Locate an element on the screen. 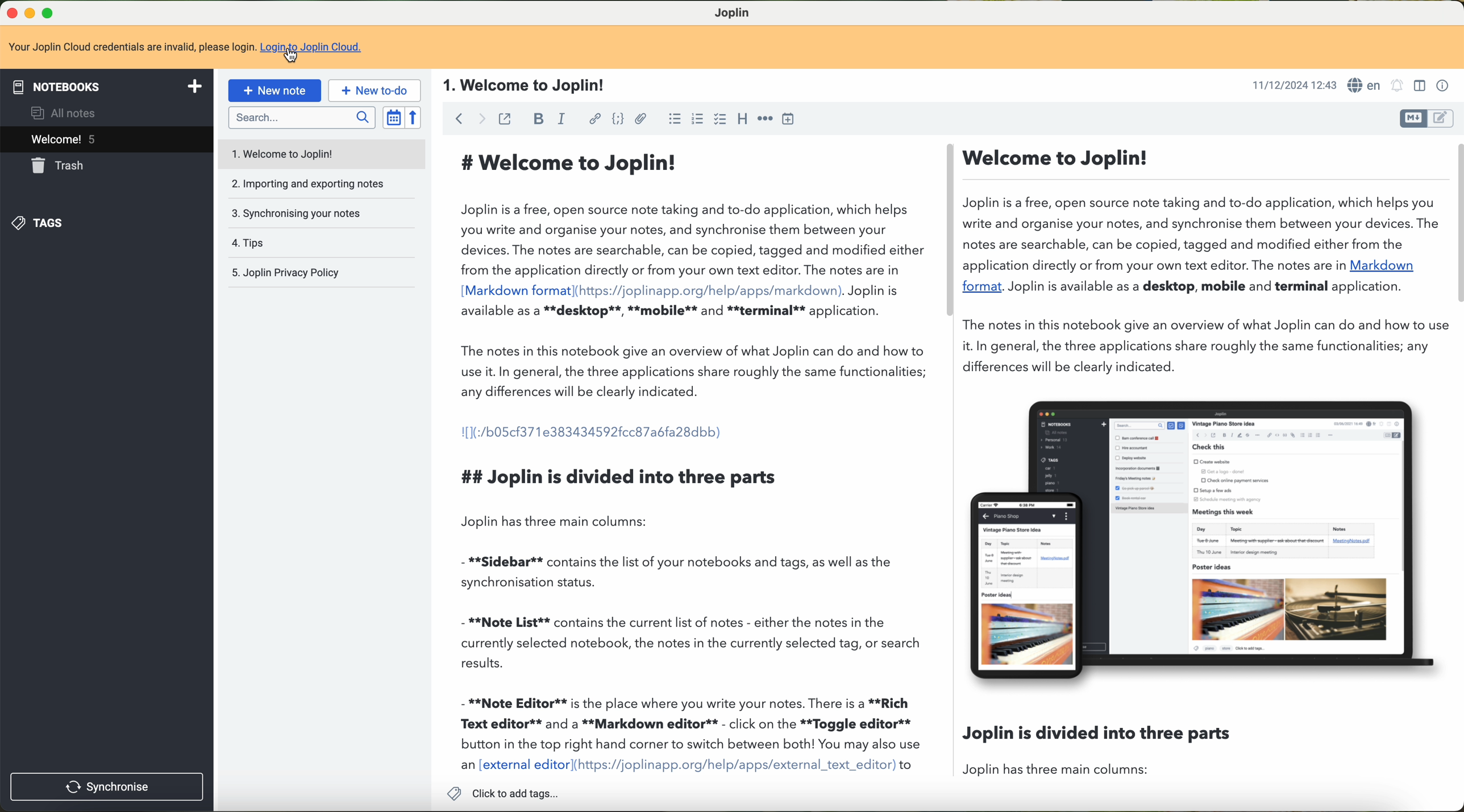 Image resolution: width=1464 pixels, height=812 pixels. toggle editors is located at coordinates (1445, 118).